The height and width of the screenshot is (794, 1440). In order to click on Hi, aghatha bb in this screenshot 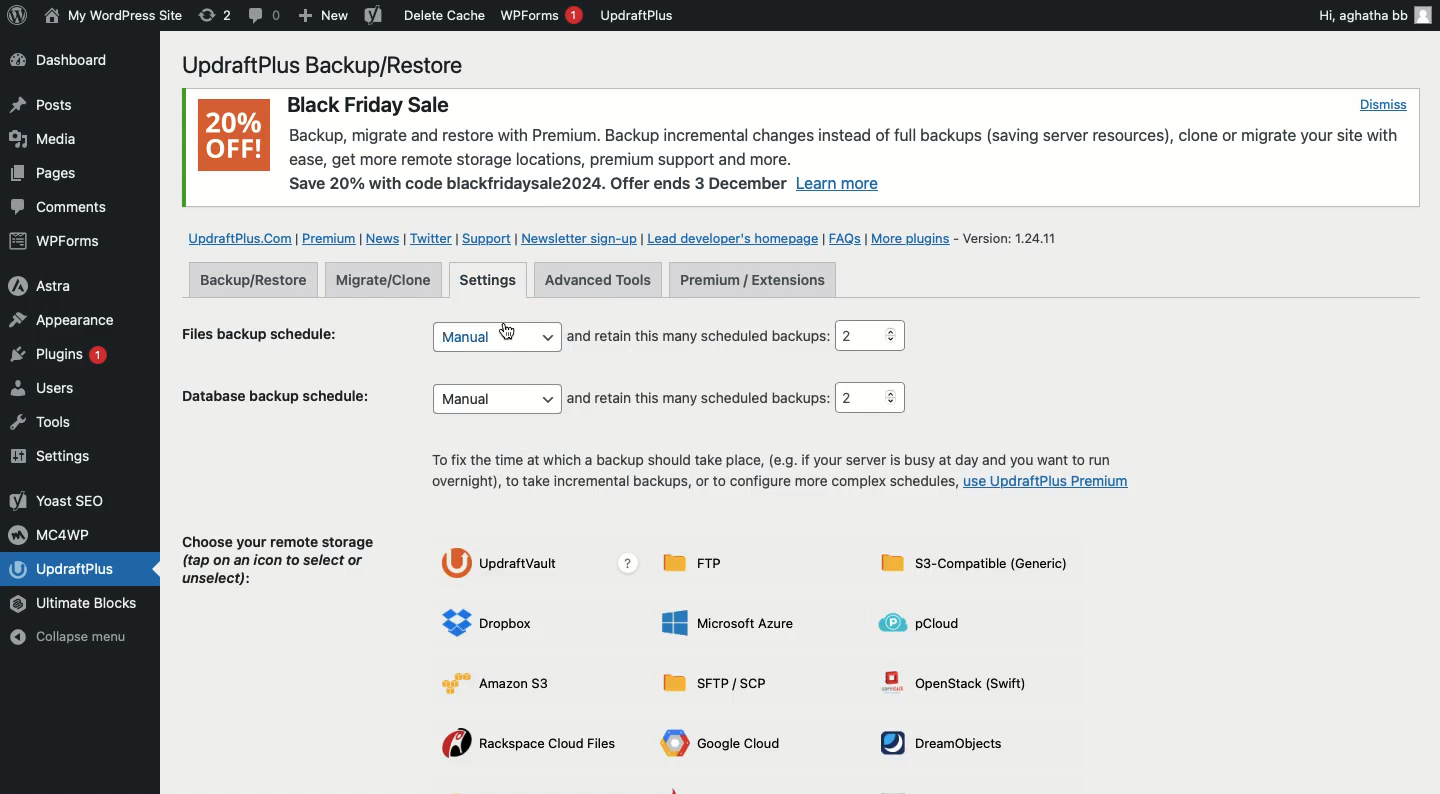, I will do `click(1373, 14)`.